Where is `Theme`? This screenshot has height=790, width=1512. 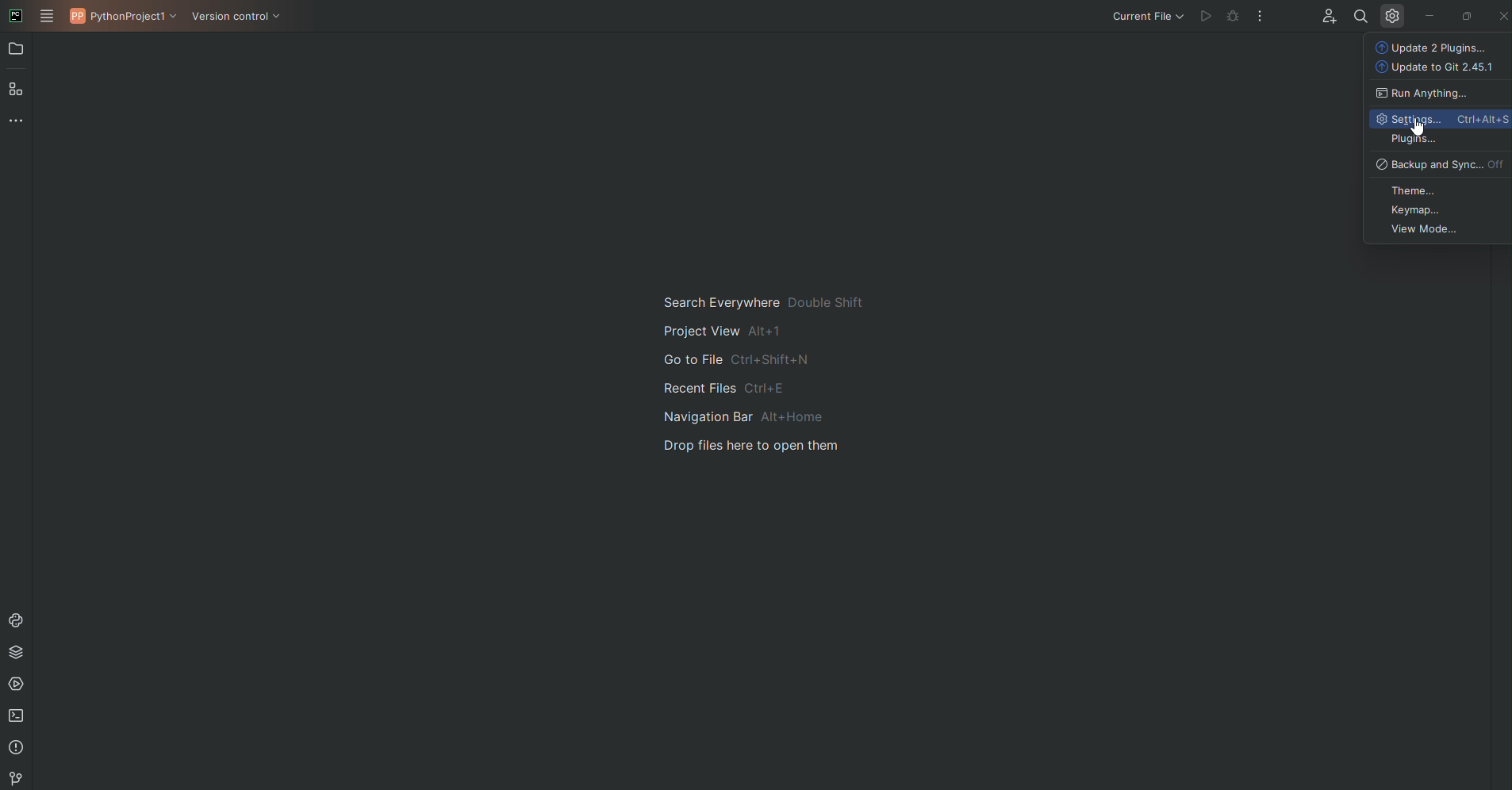 Theme is located at coordinates (1404, 191).